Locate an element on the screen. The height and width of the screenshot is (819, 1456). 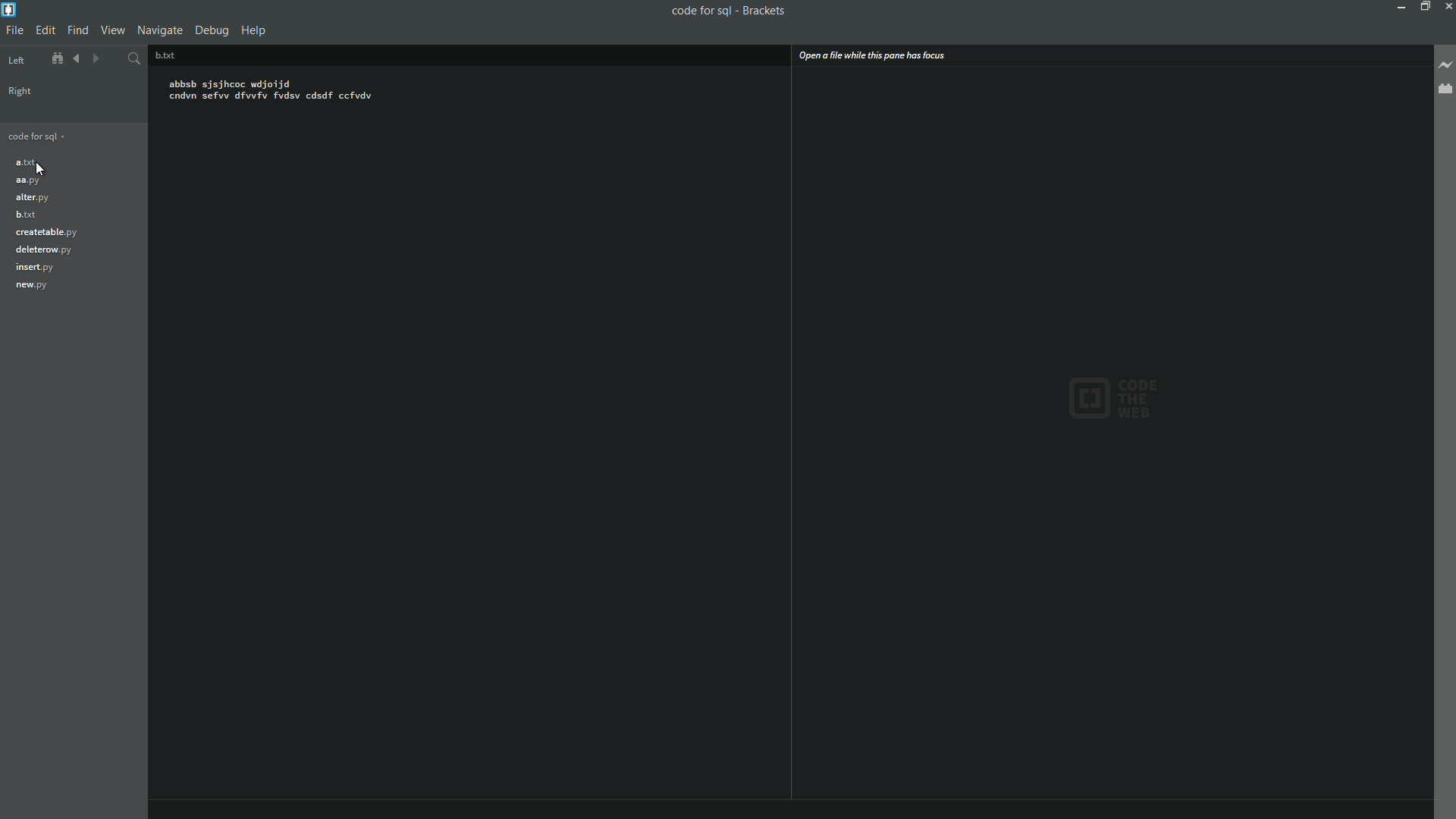
Navigate backward is located at coordinates (77, 58).